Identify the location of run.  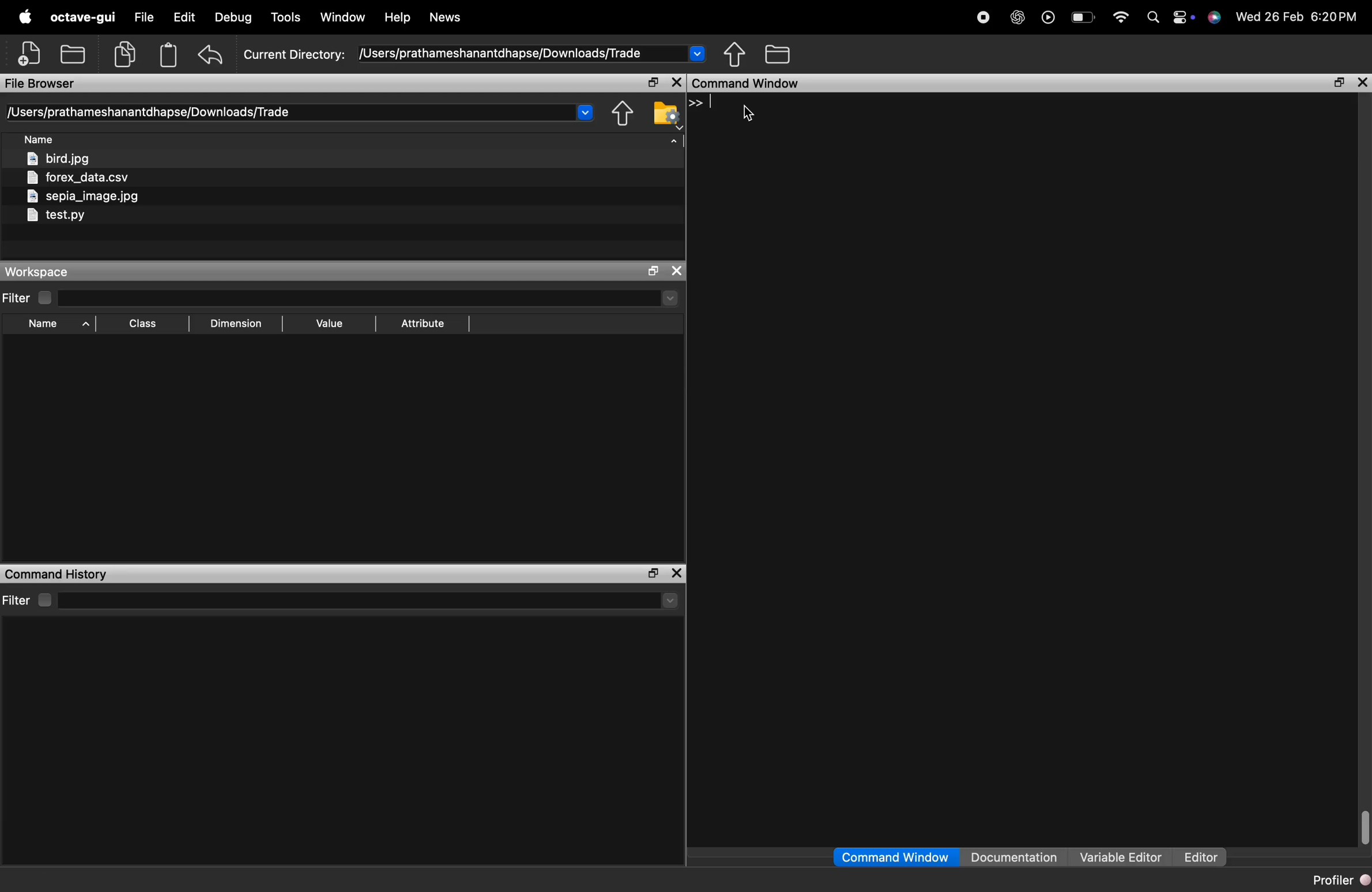
(1049, 17).